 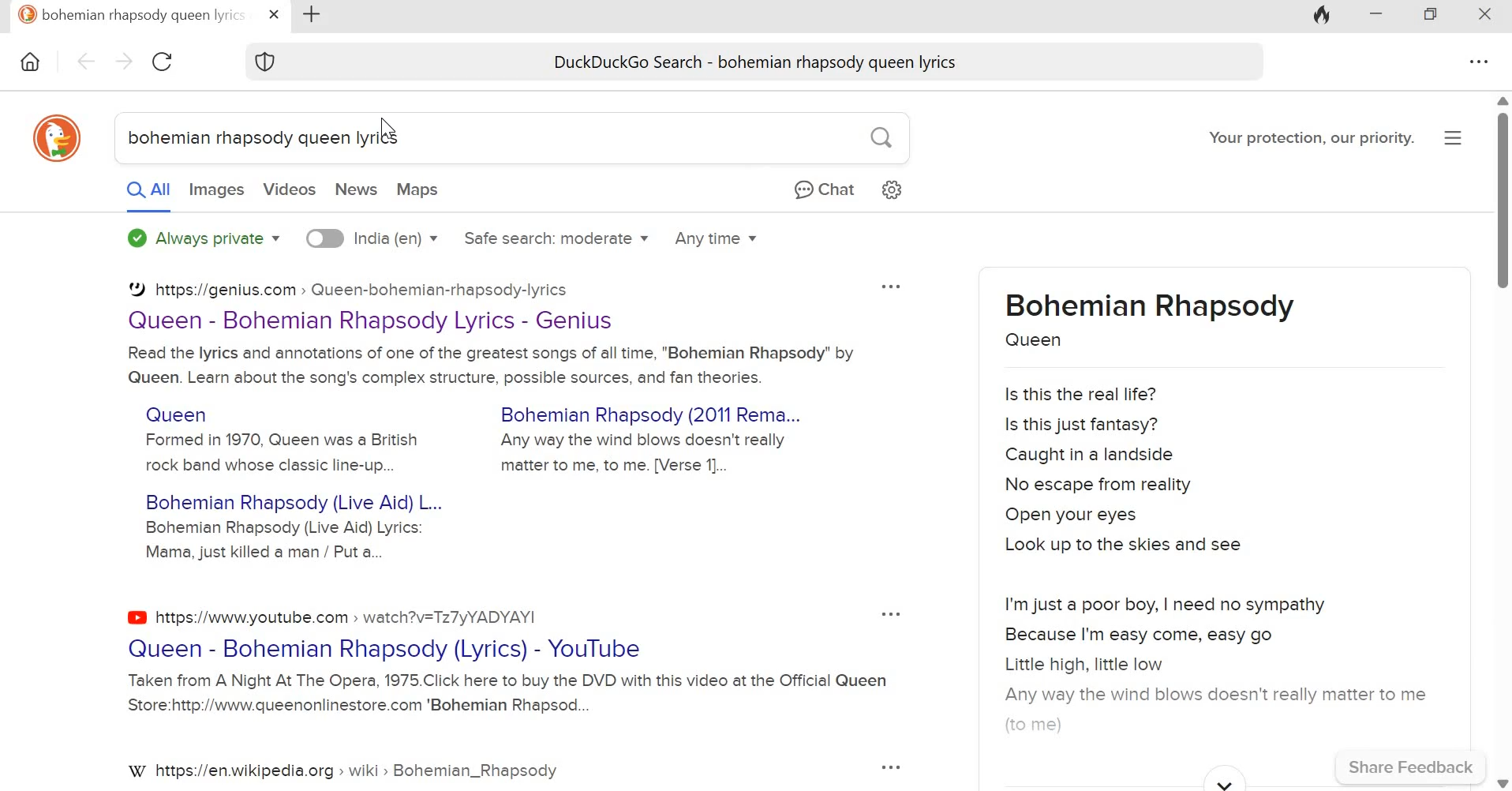 What do you see at coordinates (492, 365) in the screenshot?
I see `Read the lyrics and annotations of one of the greatest songs of all time, "Bohemian Rhapsody" by
Queen. Learn about the song's complex structure, possible sources, and fan theories.` at bounding box center [492, 365].